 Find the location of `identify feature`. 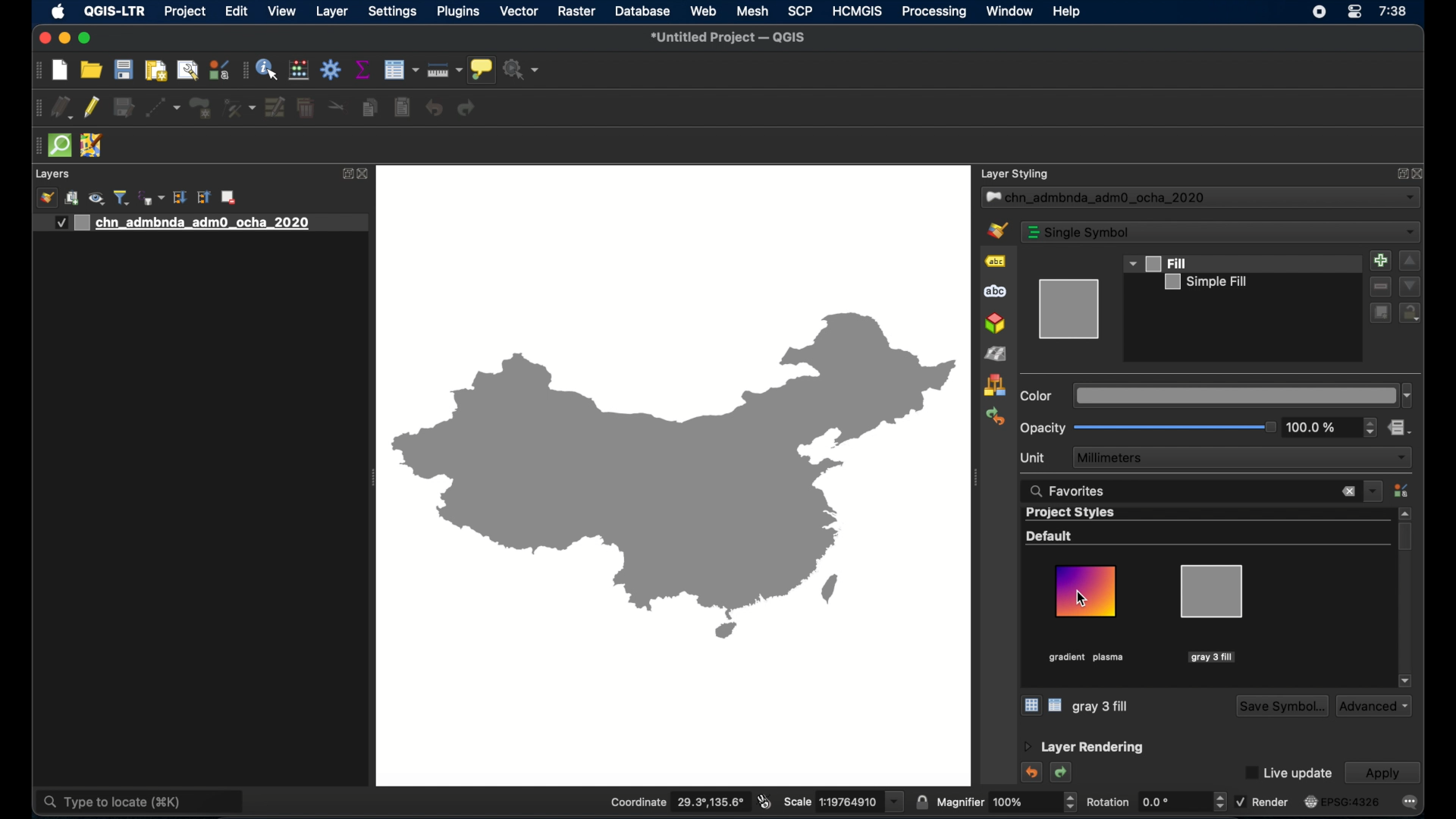

identify feature is located at coordinates (268, 69).